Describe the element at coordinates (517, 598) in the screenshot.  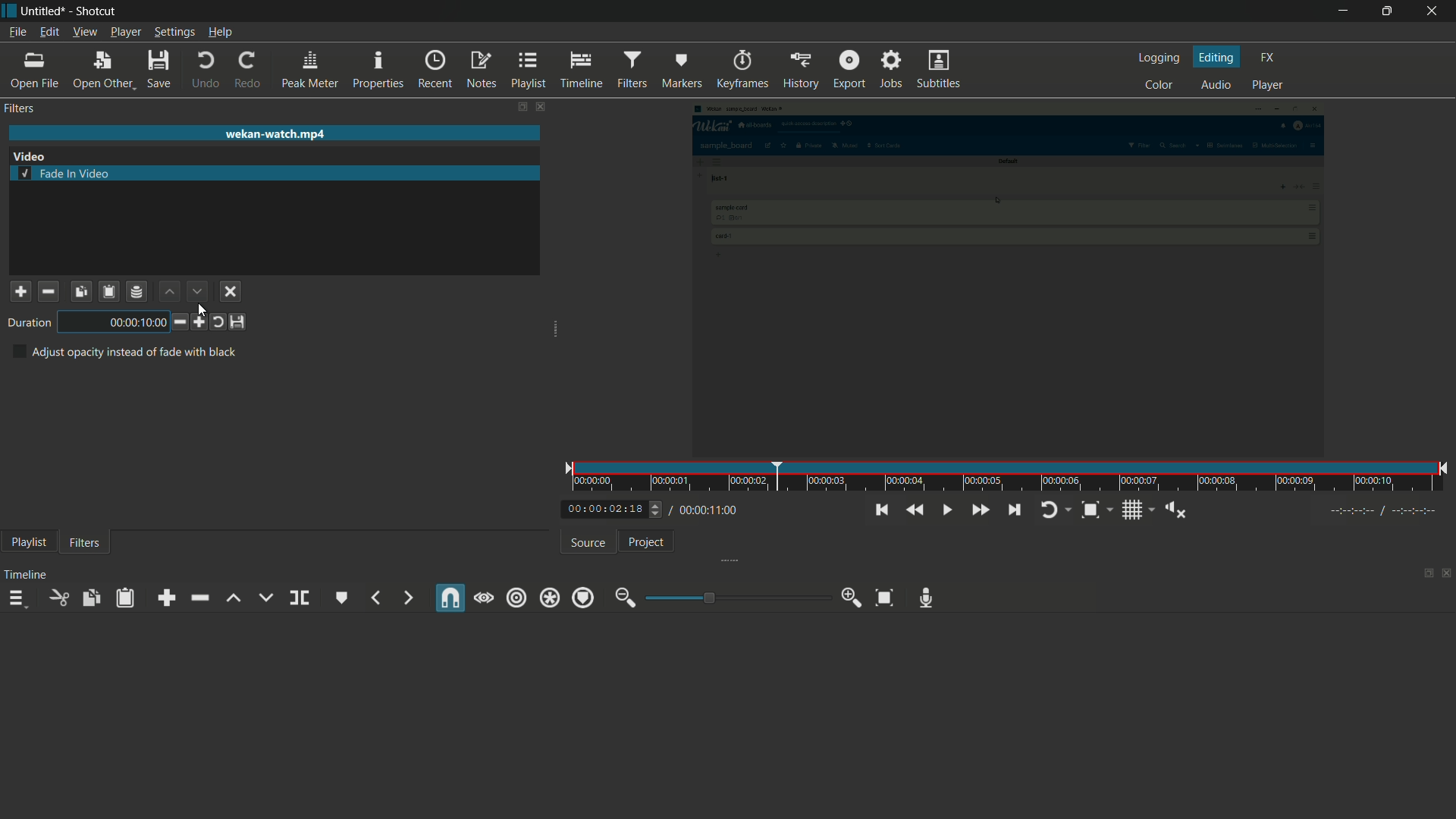
I see `ripple` at that location.